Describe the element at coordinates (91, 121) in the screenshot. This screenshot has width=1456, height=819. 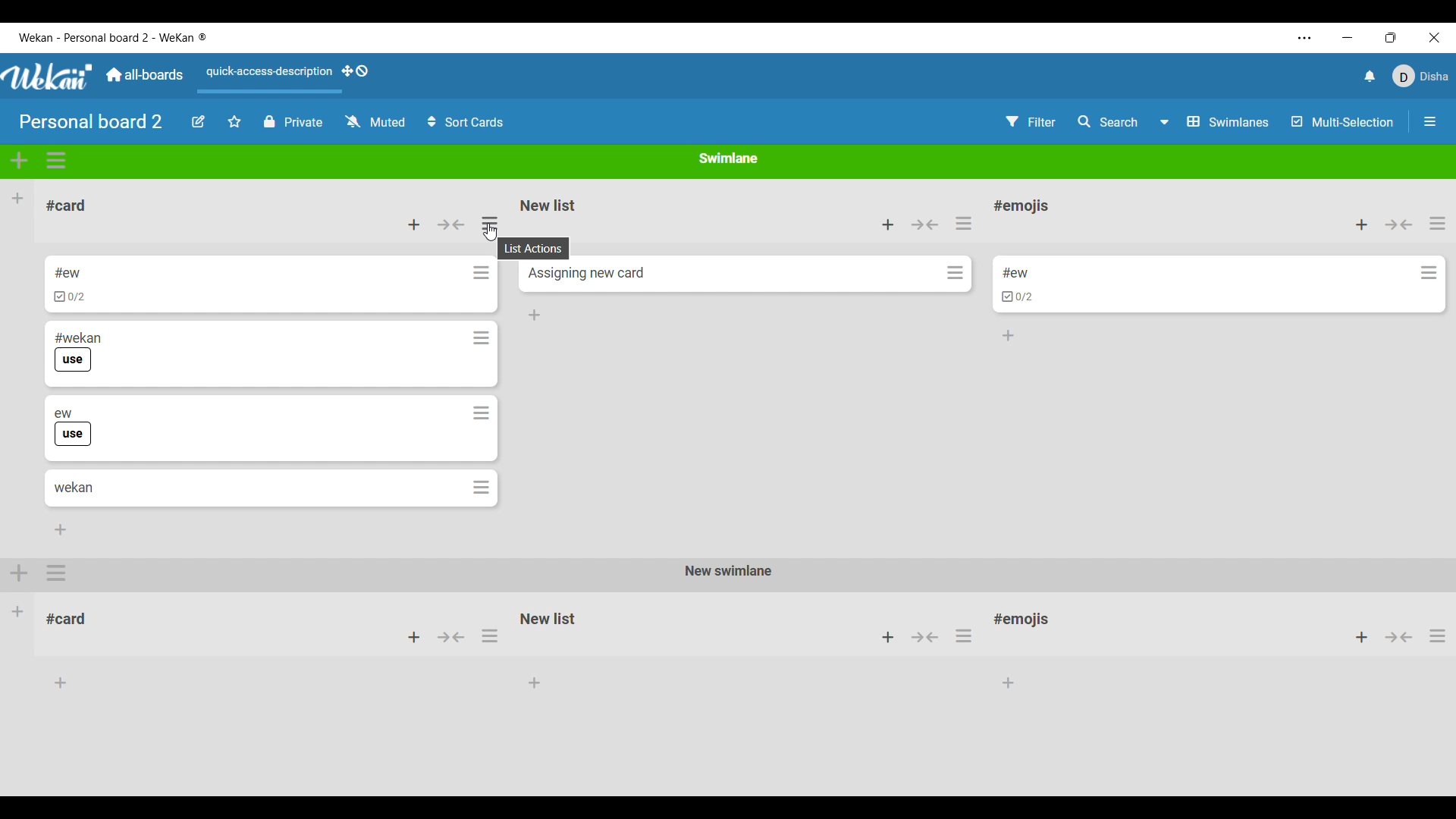
I see `Board title` at that location.